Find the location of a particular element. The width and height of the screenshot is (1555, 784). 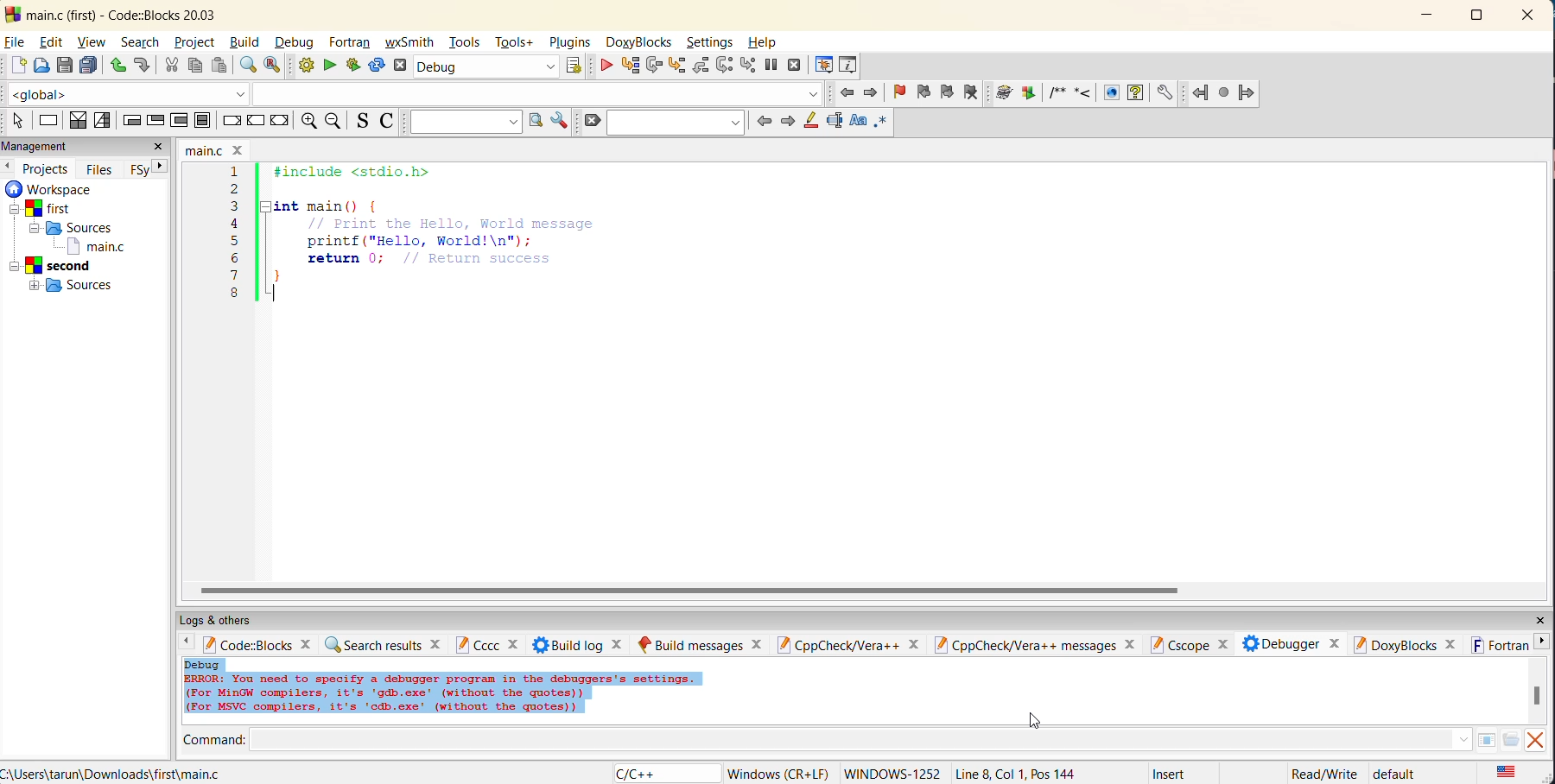

stop debugger is located at coordinates (796, 66).